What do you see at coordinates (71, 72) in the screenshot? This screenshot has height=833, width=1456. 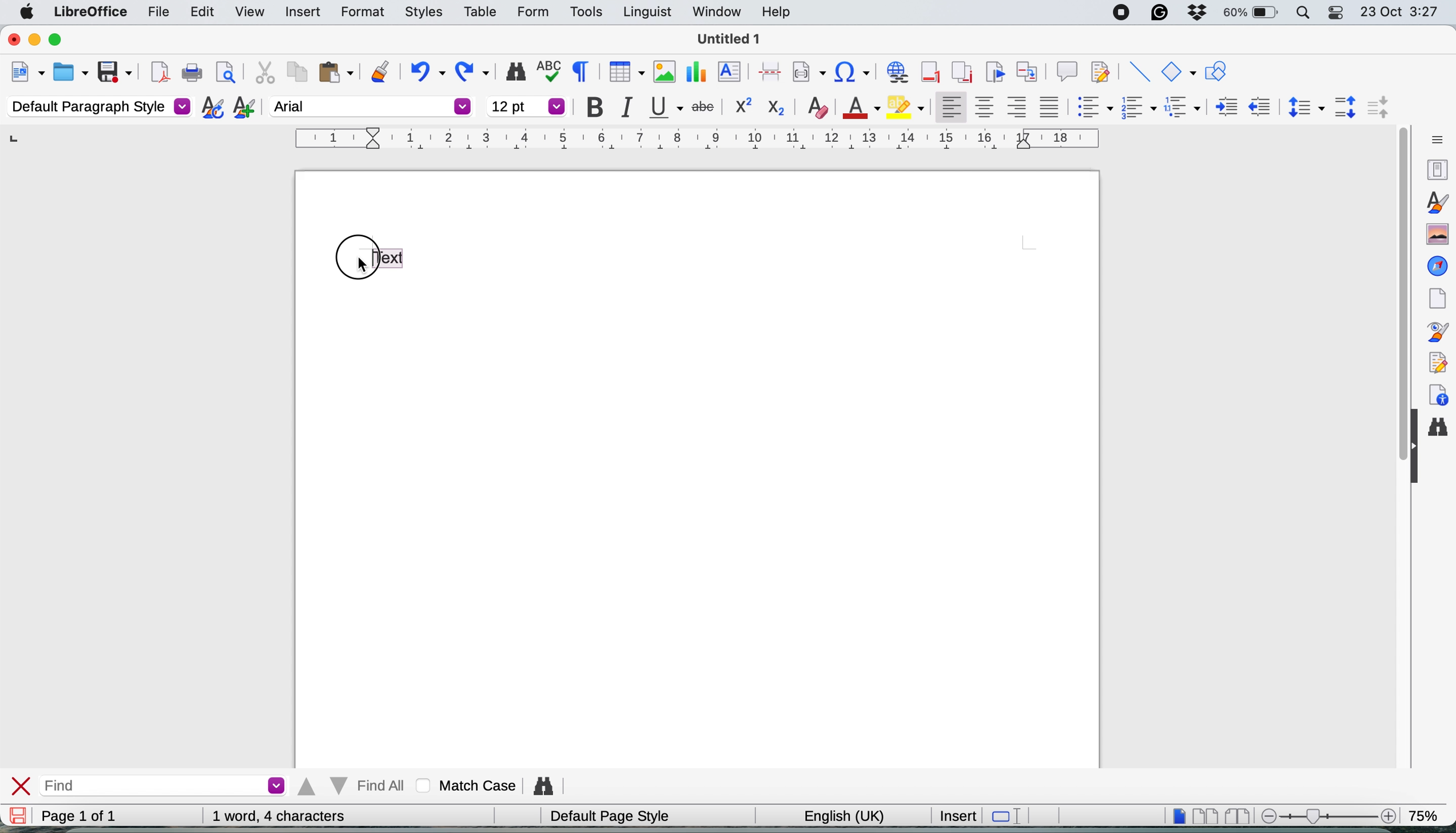 I see `open` at bounding box center [71, 72].